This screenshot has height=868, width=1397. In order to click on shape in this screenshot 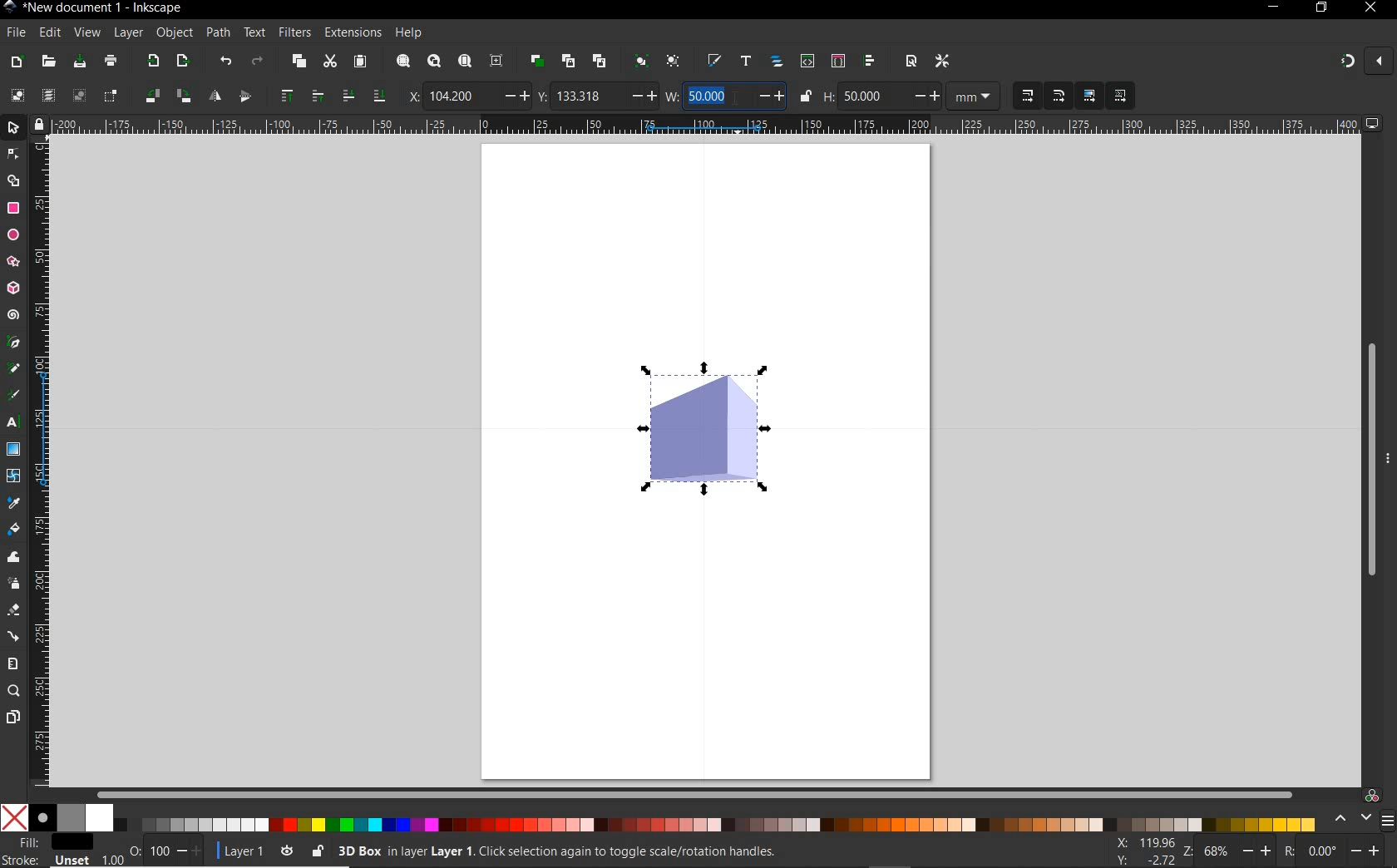, I will do `click(704, 430)`.